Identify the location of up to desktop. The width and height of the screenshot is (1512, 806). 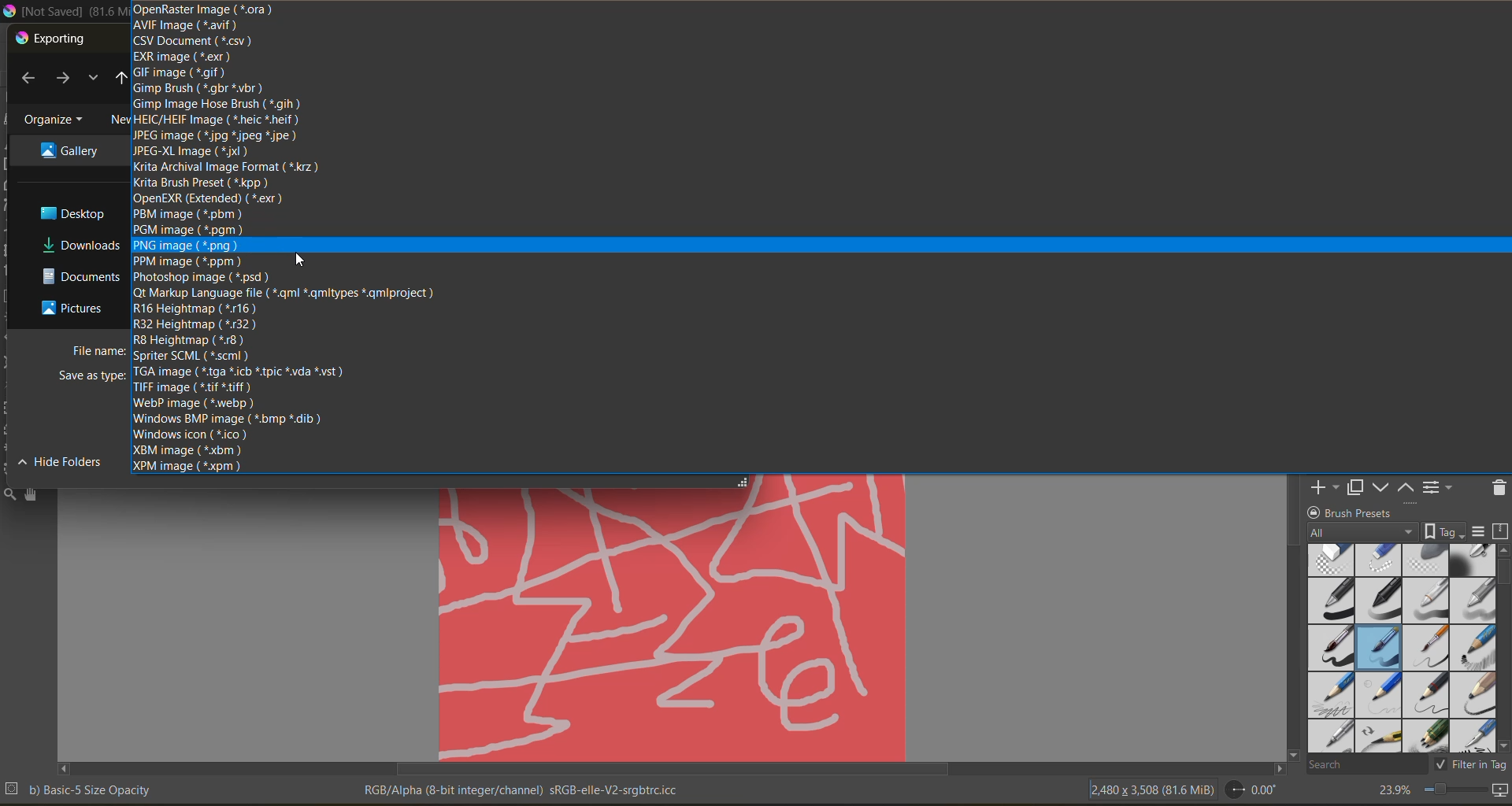
(117, 80).